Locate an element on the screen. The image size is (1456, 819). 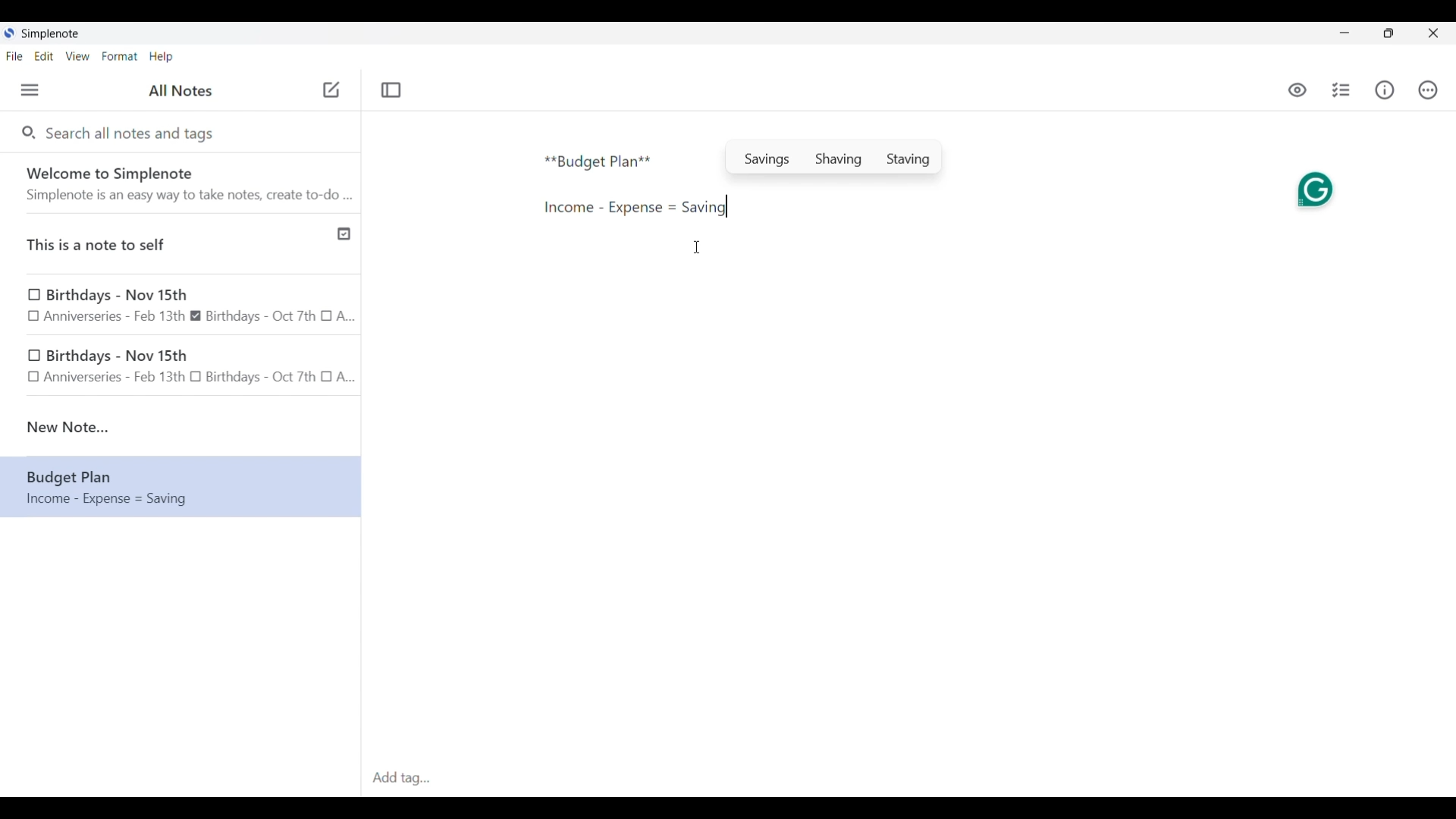
Menu is located at coordinates (30, 89).